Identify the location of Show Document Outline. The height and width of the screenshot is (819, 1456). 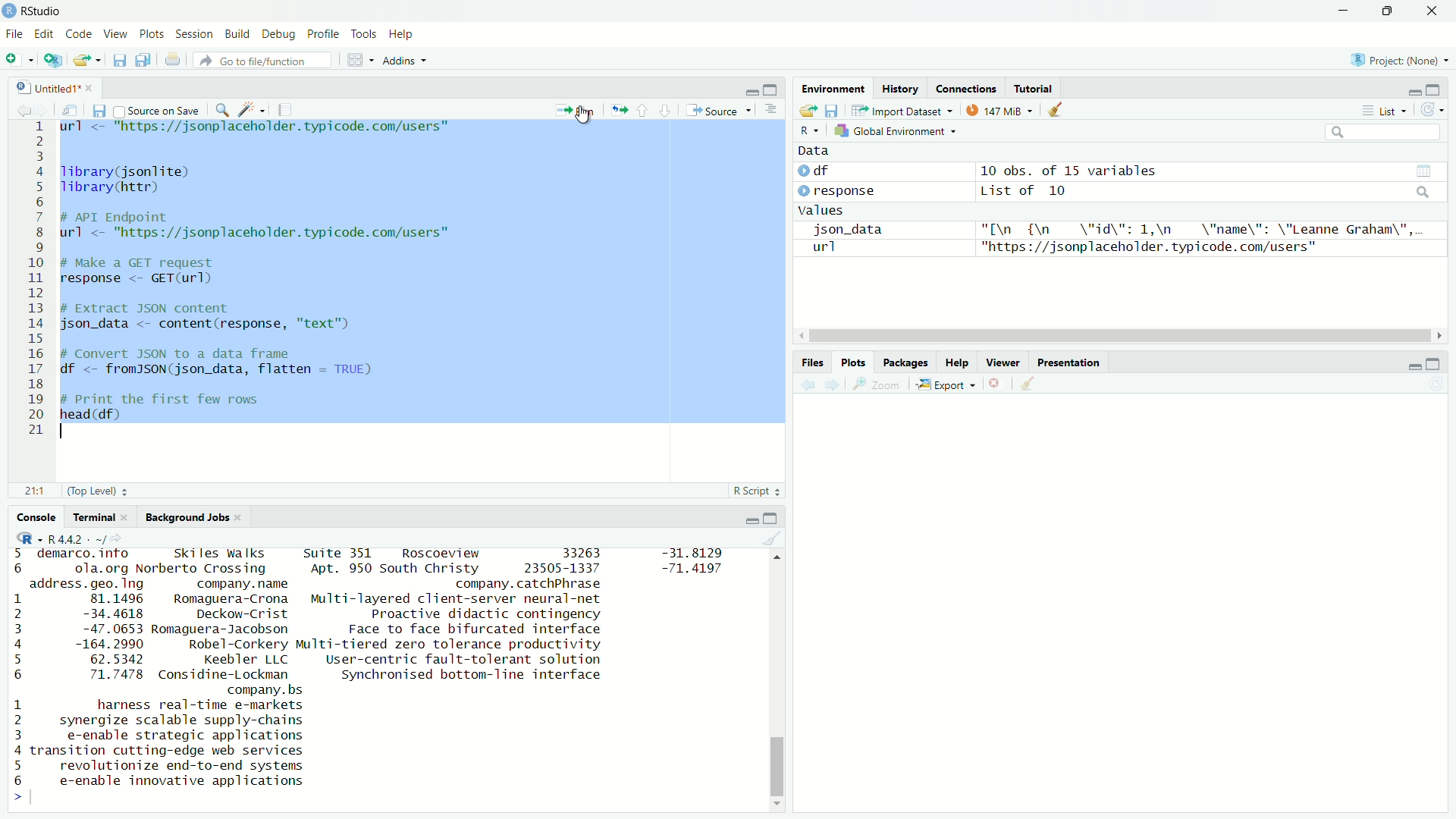
(772, 110).